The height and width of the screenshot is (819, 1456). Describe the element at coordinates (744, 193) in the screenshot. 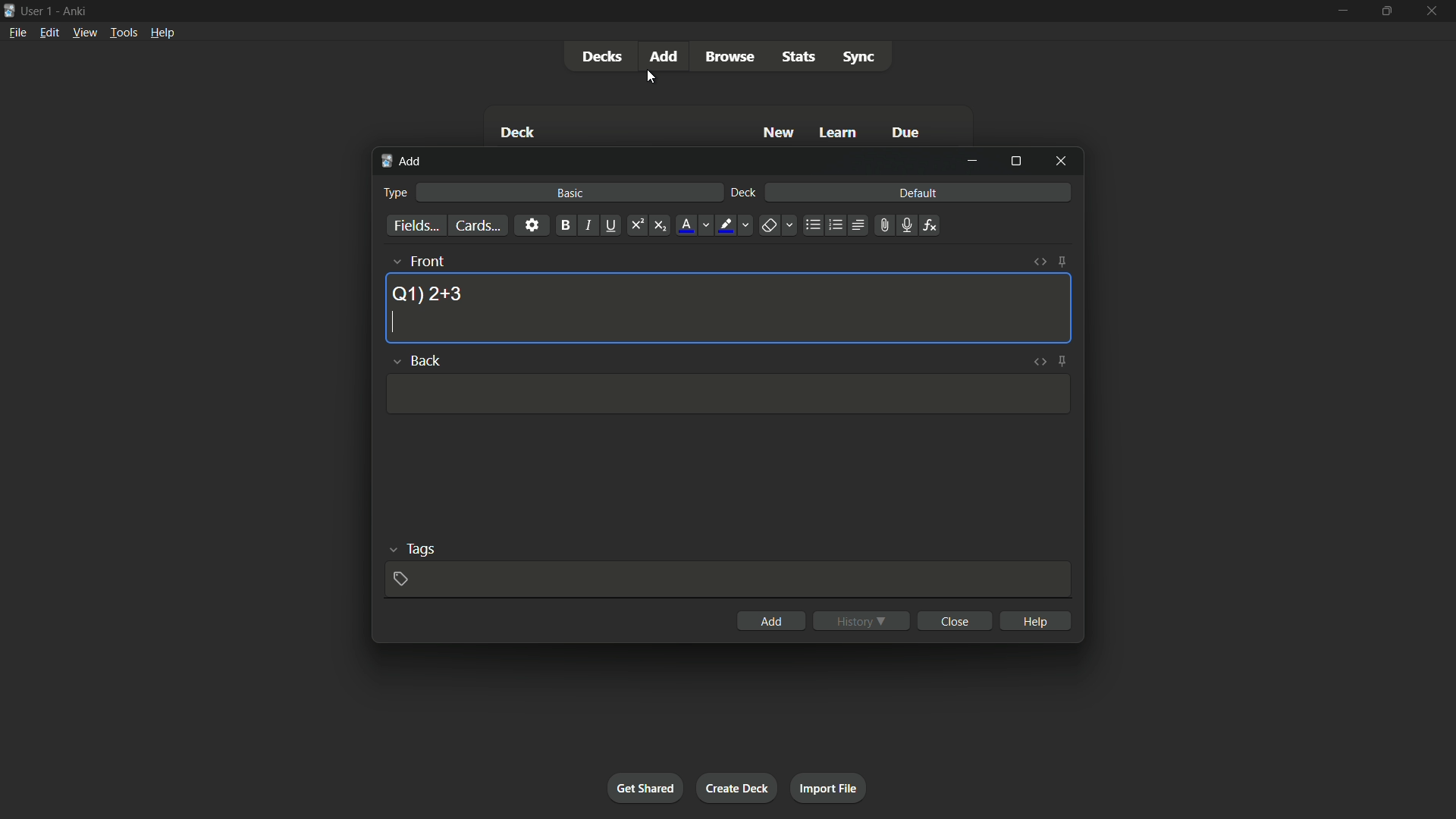

I see `deck` at that location.